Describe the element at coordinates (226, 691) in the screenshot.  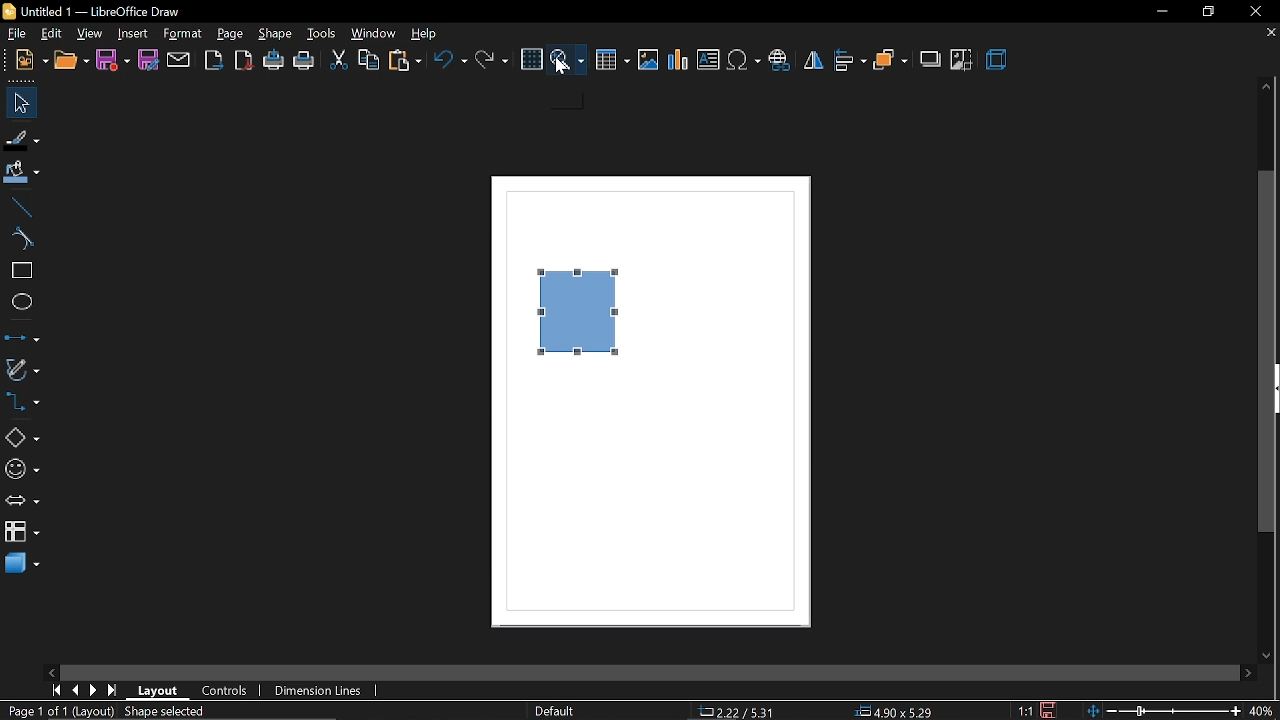
I see `controls` at that location.